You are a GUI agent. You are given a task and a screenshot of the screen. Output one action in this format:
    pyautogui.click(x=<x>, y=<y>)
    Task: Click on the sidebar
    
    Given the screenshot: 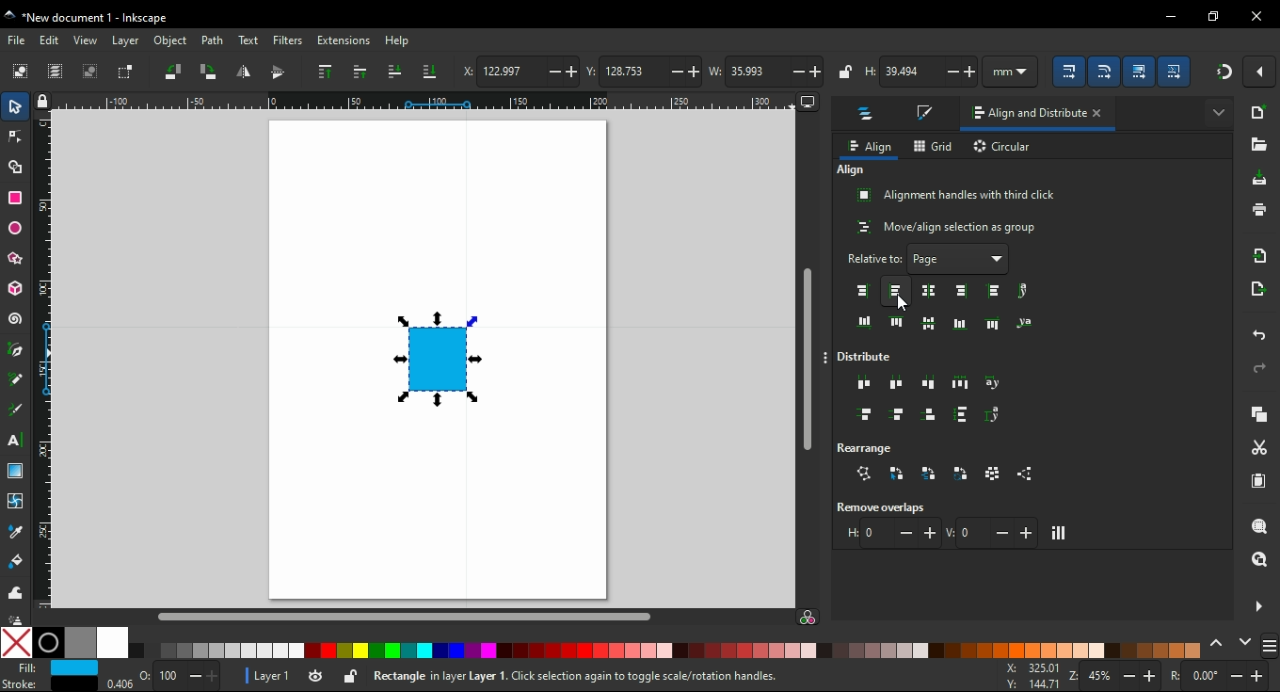 What is the action you would take?
    pyautogui.click(x=1267, y=643)
    